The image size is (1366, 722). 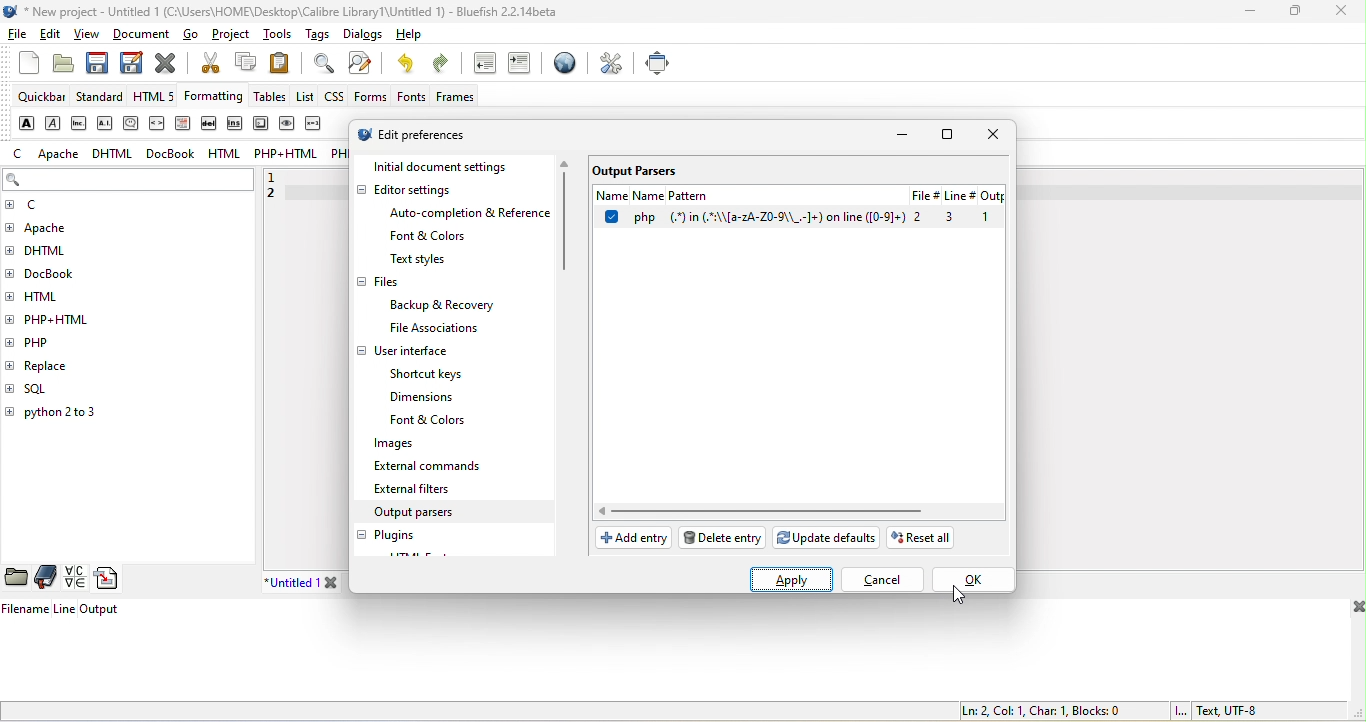 What do you see at coordinates (405, 37) in the screenshot?
I see `help` at bounding box center [405, 37].